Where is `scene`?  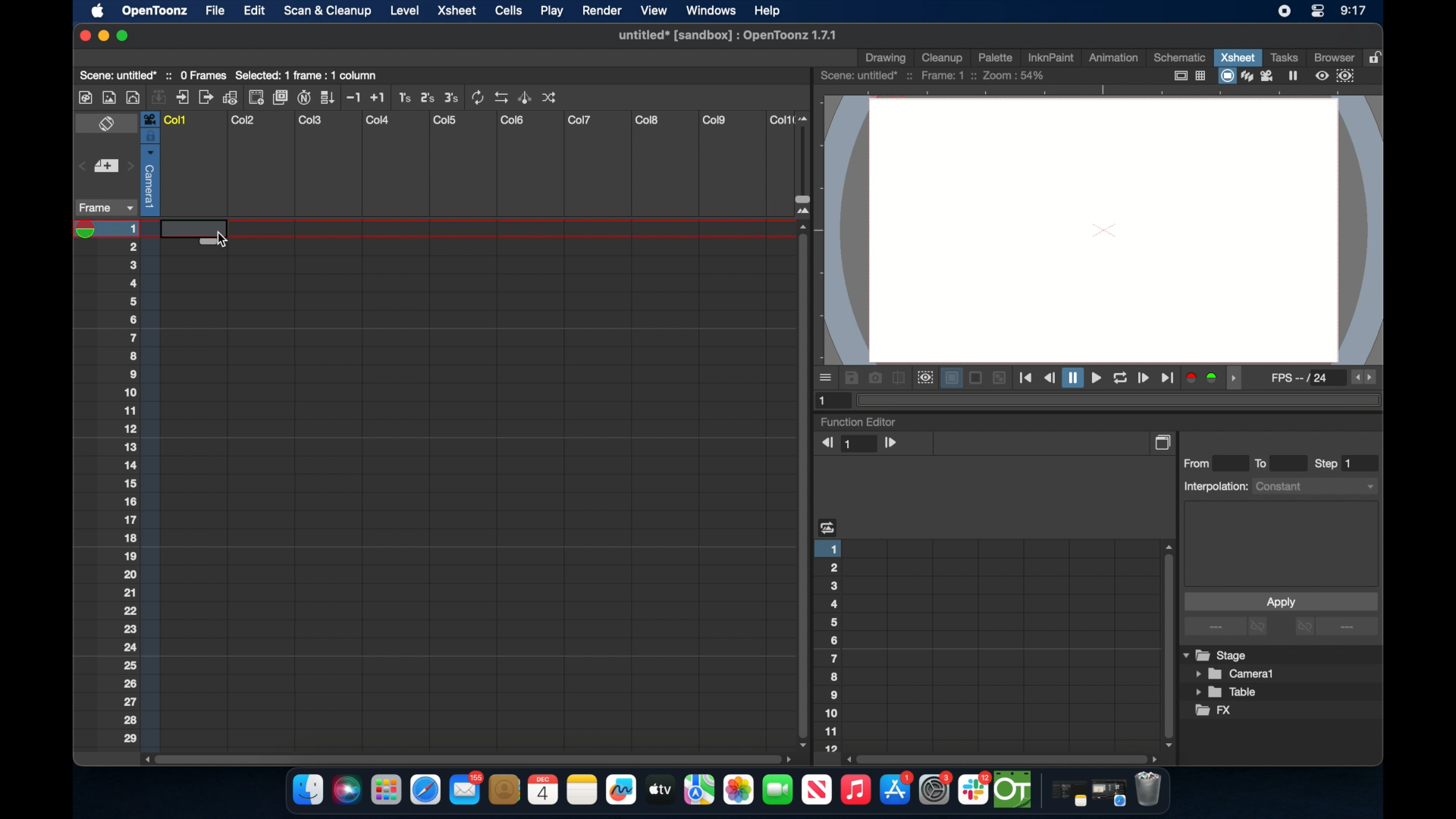
scene is located at coordinates (934, 76).